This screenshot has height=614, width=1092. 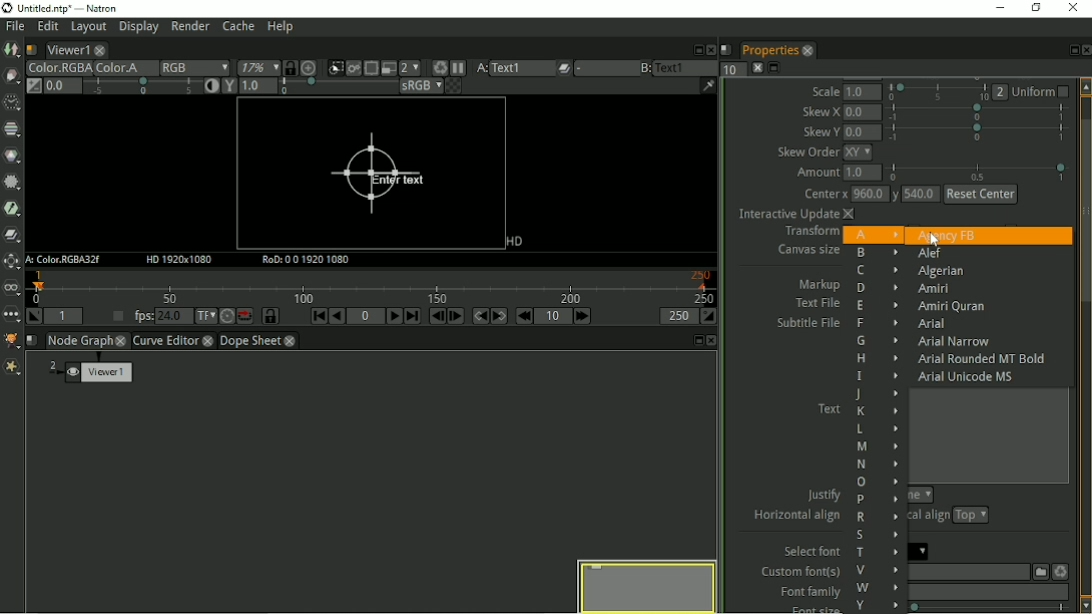 I want to click on 0.0, so click(x=862, y=132).